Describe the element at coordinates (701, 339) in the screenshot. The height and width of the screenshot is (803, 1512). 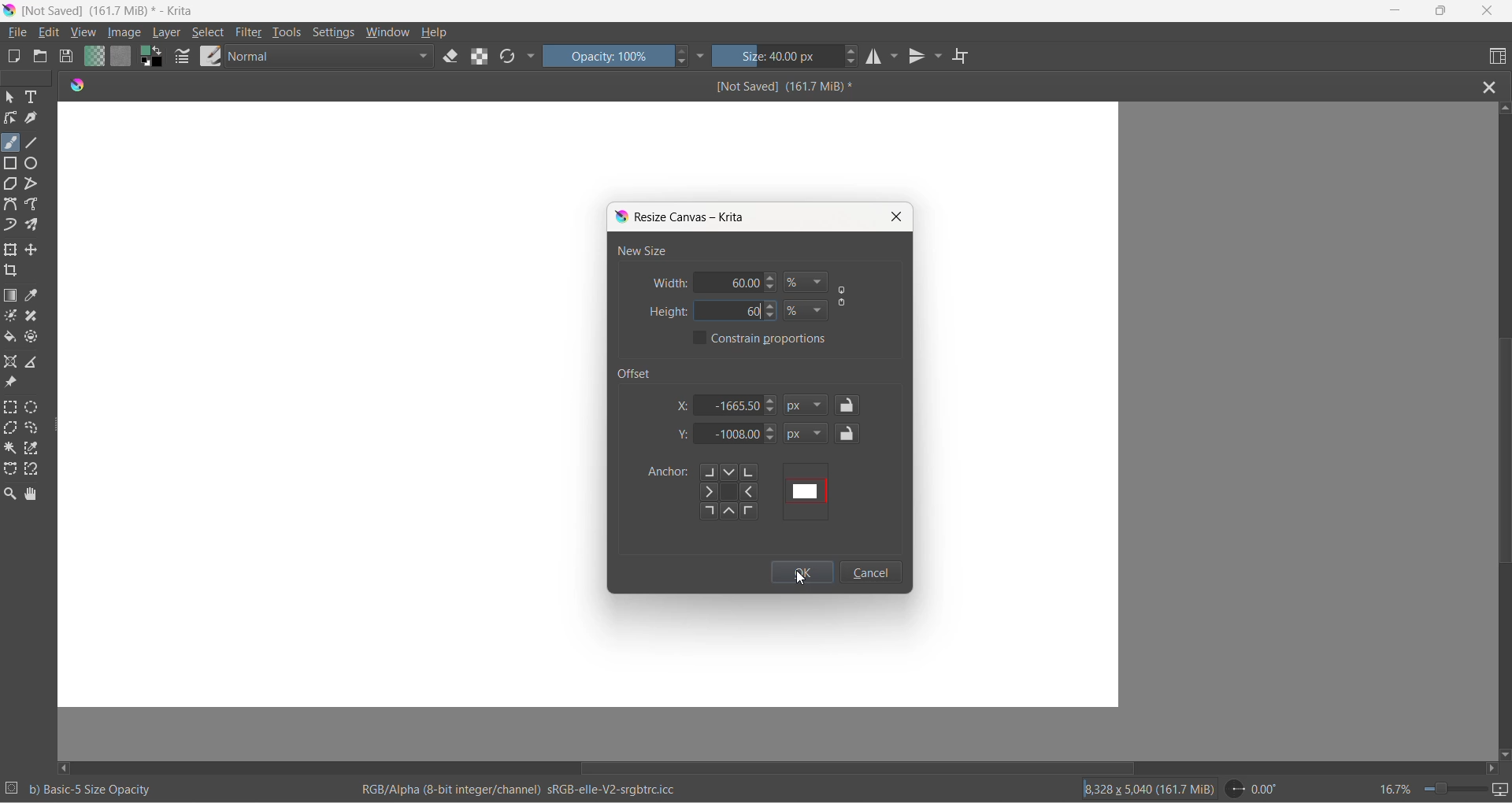
I see `constant proportions checkbox` at that location.